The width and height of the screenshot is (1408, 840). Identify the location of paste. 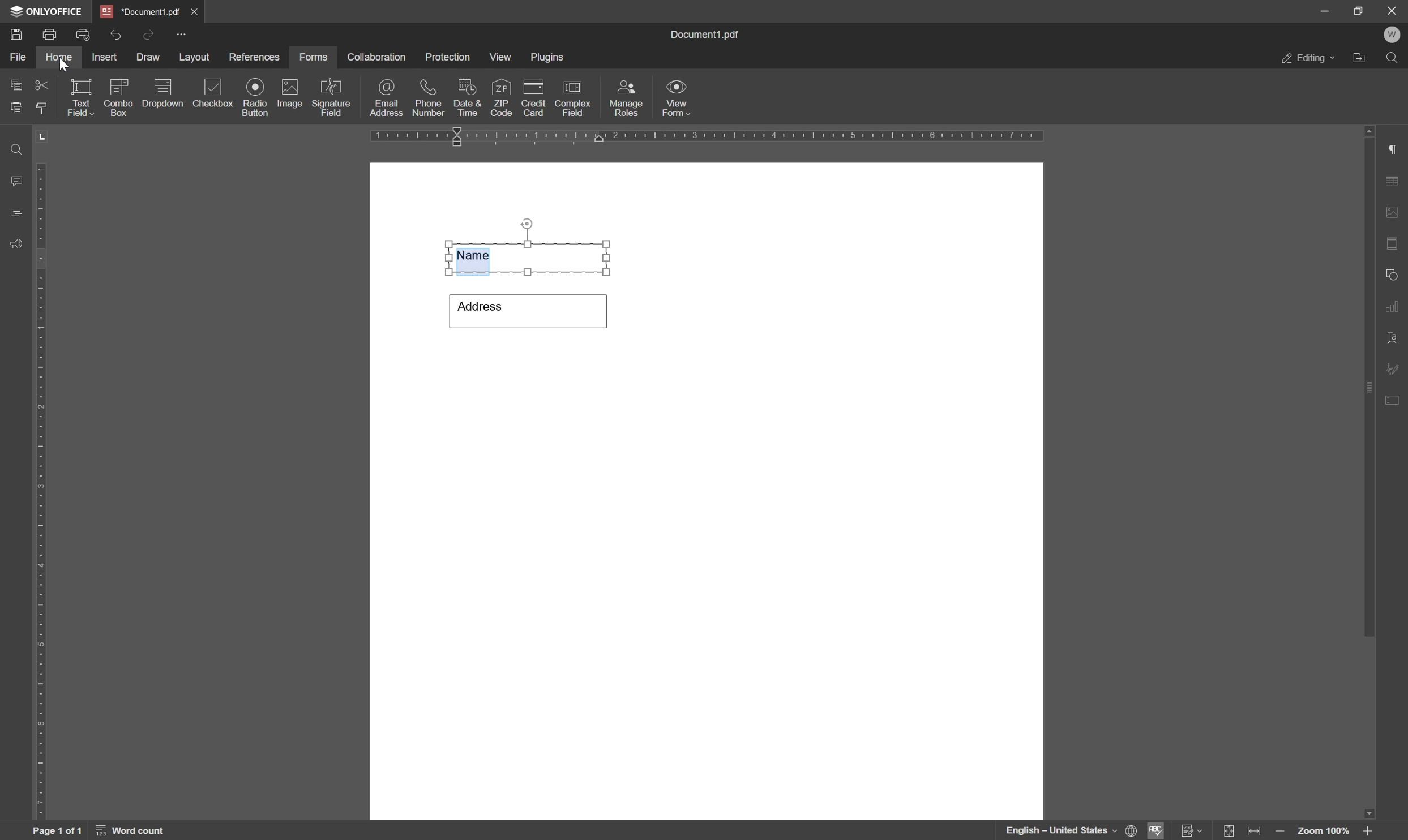
(17, 109).